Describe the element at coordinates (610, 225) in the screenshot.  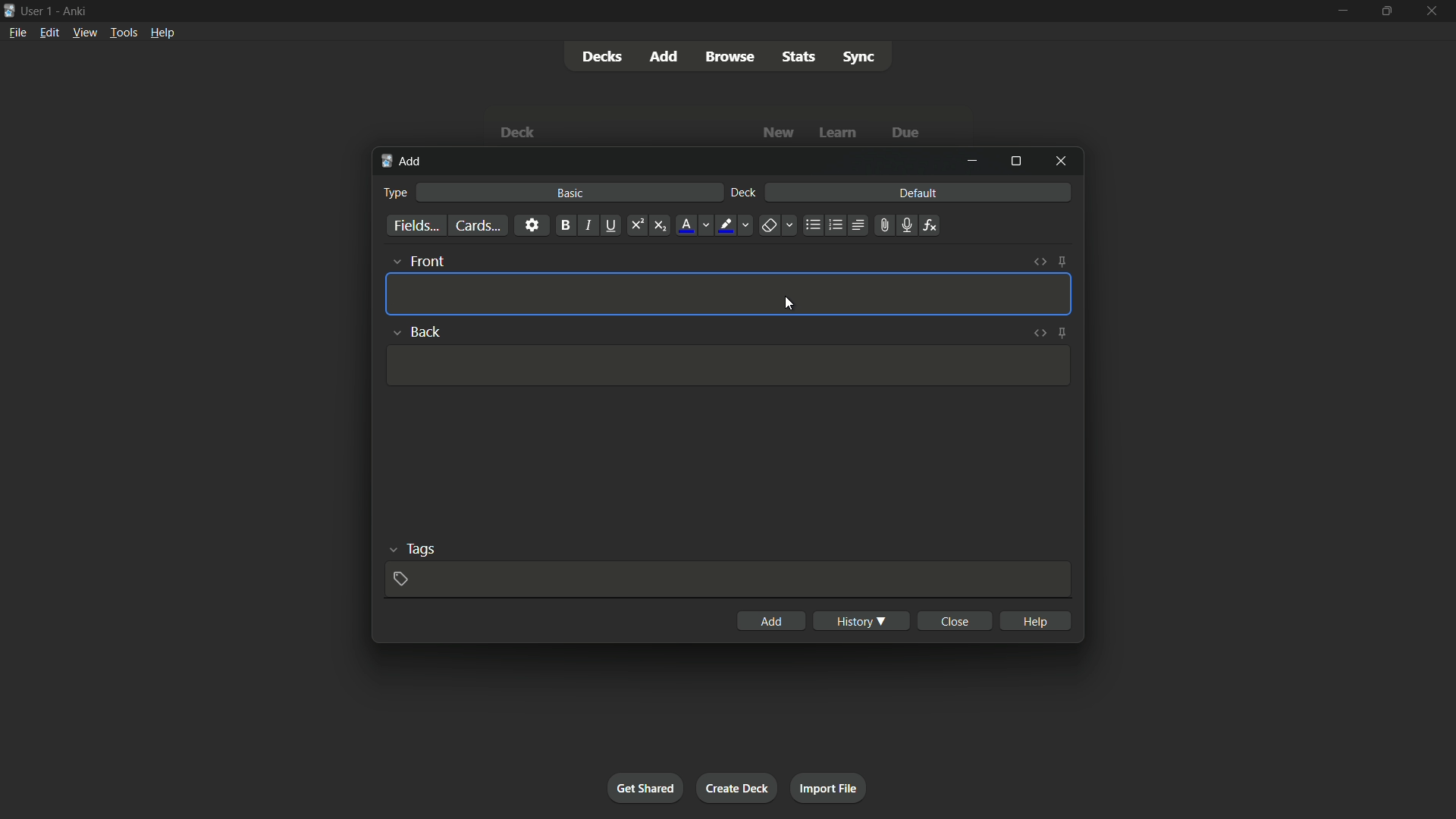
I see `underline` at that location.